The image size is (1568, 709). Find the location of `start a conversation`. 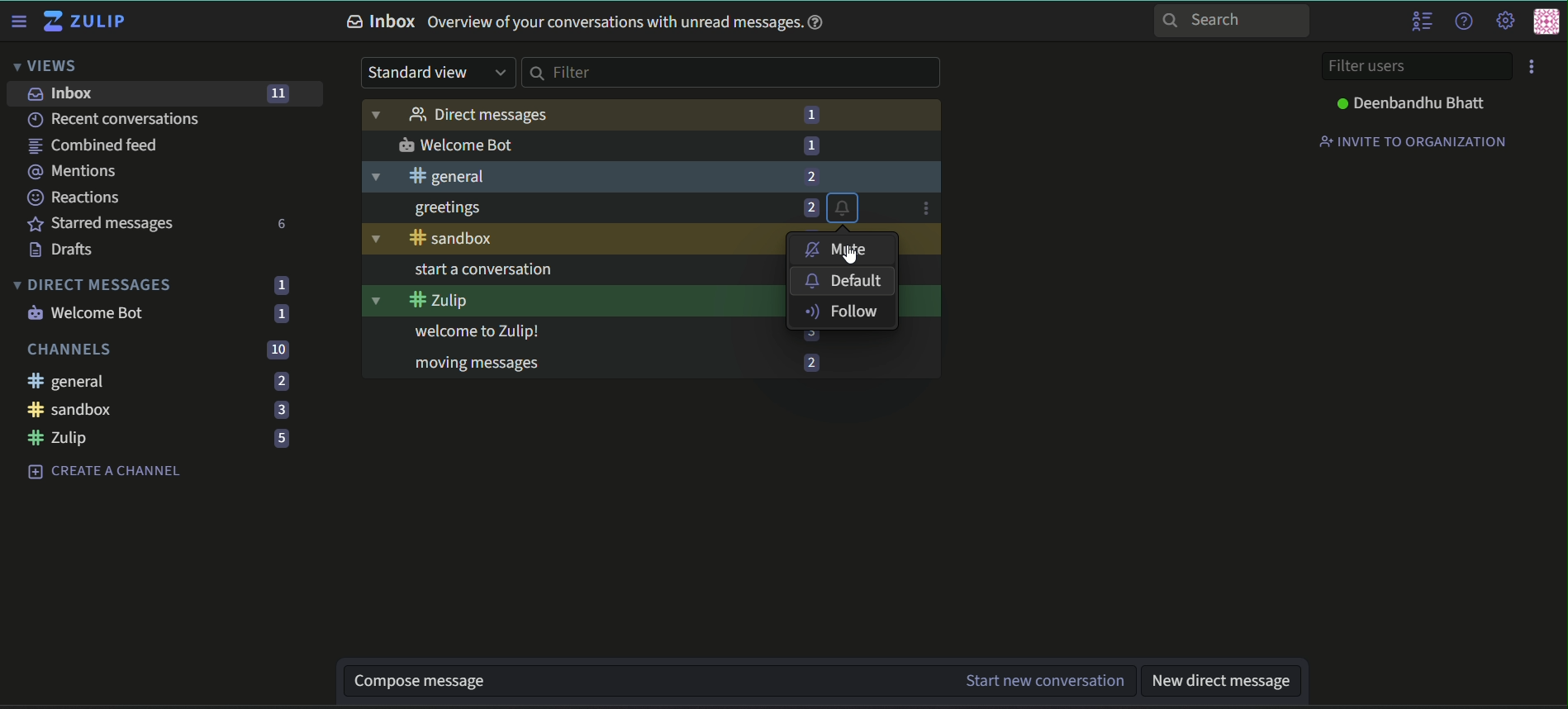

start a conversation is located at coordinates (594, 269).